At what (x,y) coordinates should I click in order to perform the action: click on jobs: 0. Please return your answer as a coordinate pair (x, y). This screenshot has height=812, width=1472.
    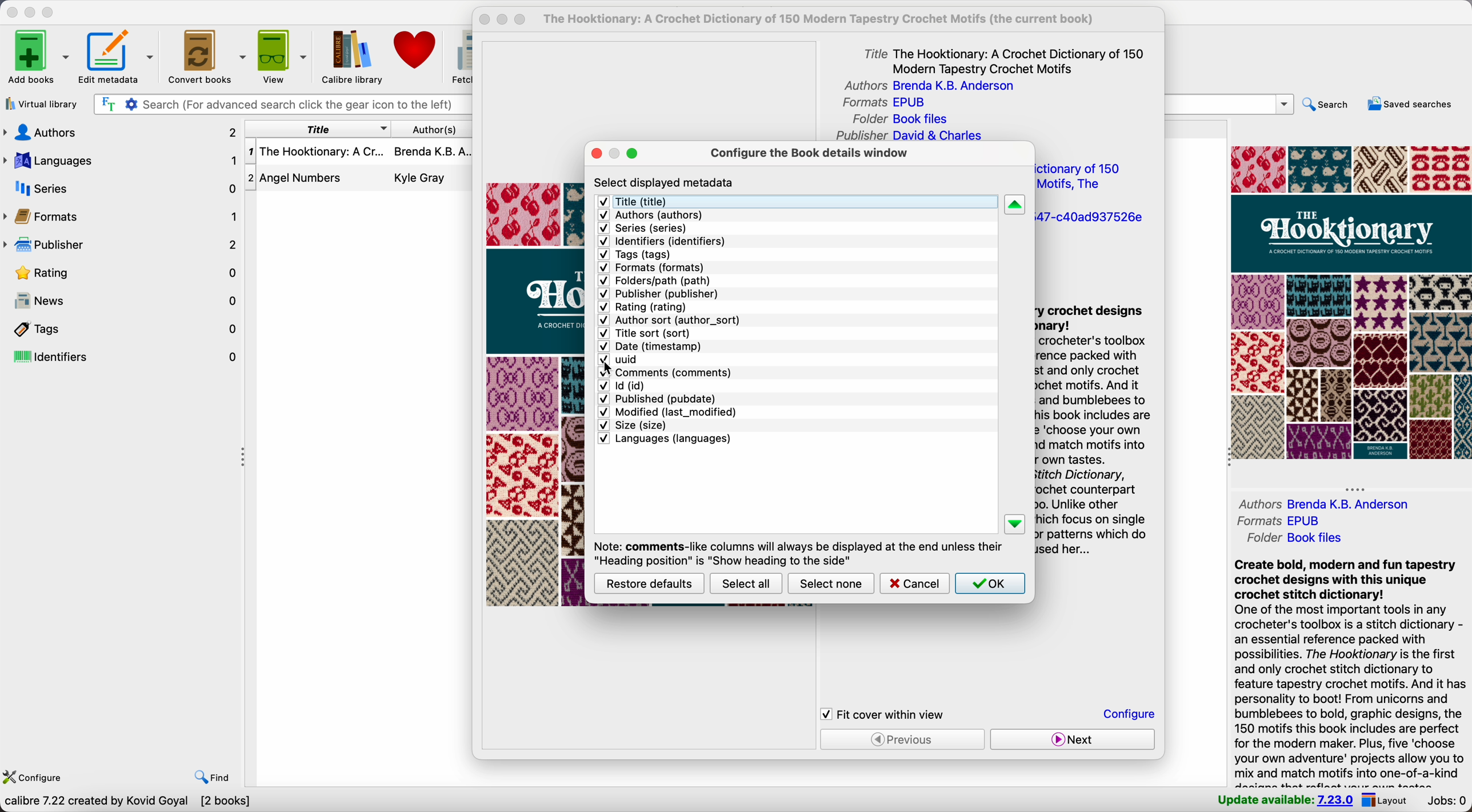
    Looking at the image, I should click on (1445, 801).